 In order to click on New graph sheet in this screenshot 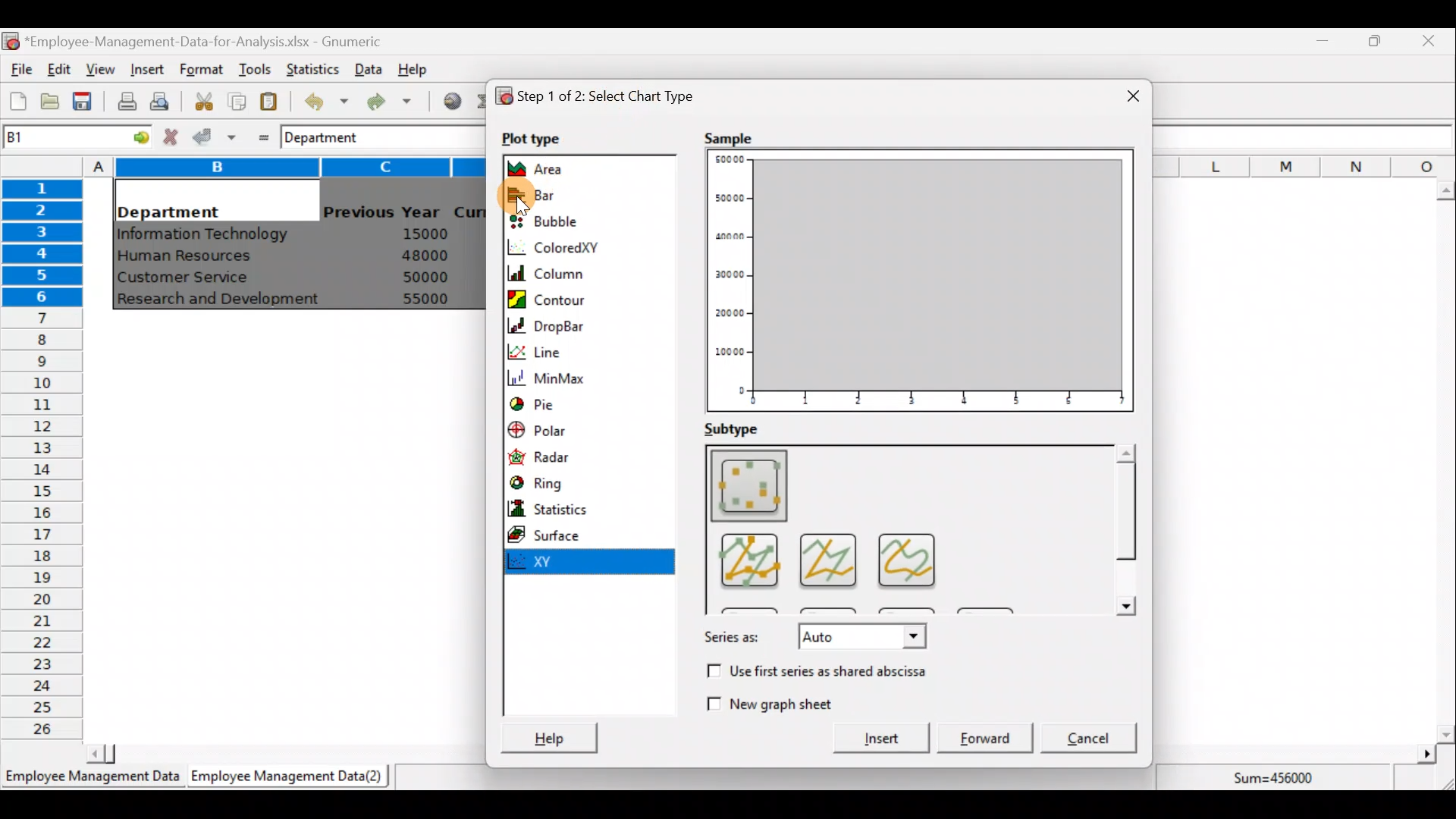, I will do `click(783, 702)`.